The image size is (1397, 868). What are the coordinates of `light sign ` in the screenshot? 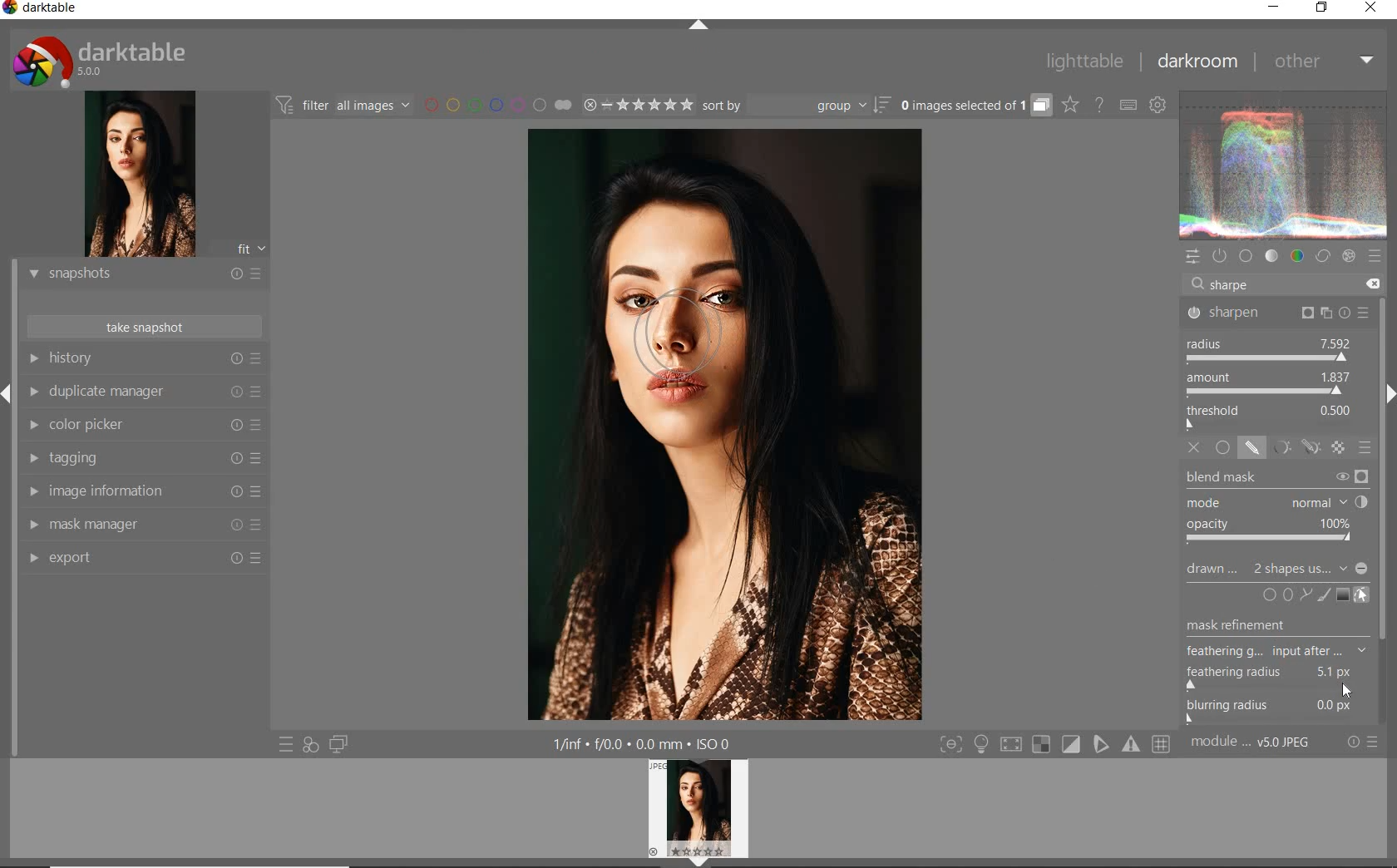 It's located at (983, 745).